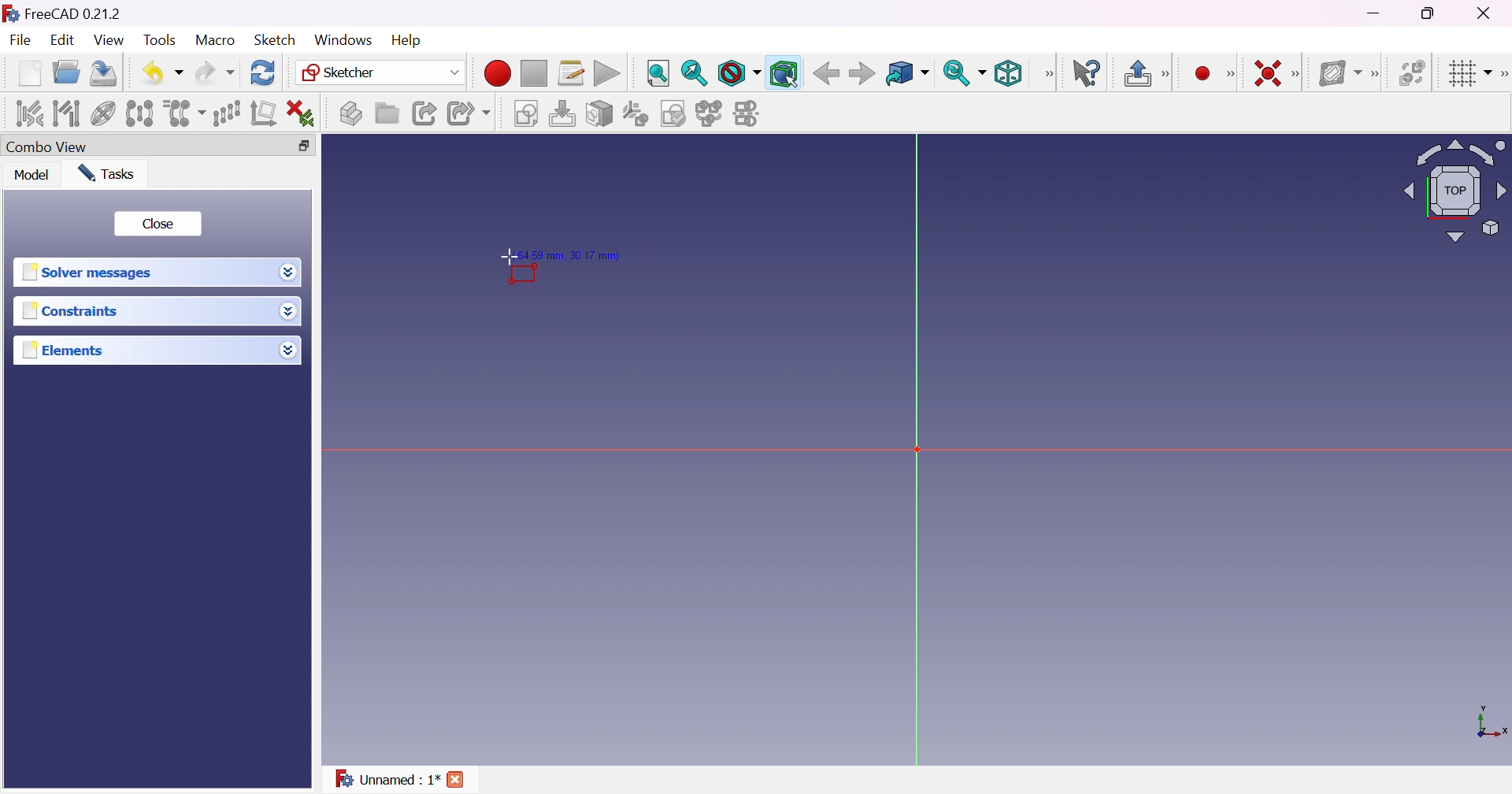  Describe the element at coordinates (1340, 72) in the screenshot. I see `Show/hide B-spline information layer` at that location.